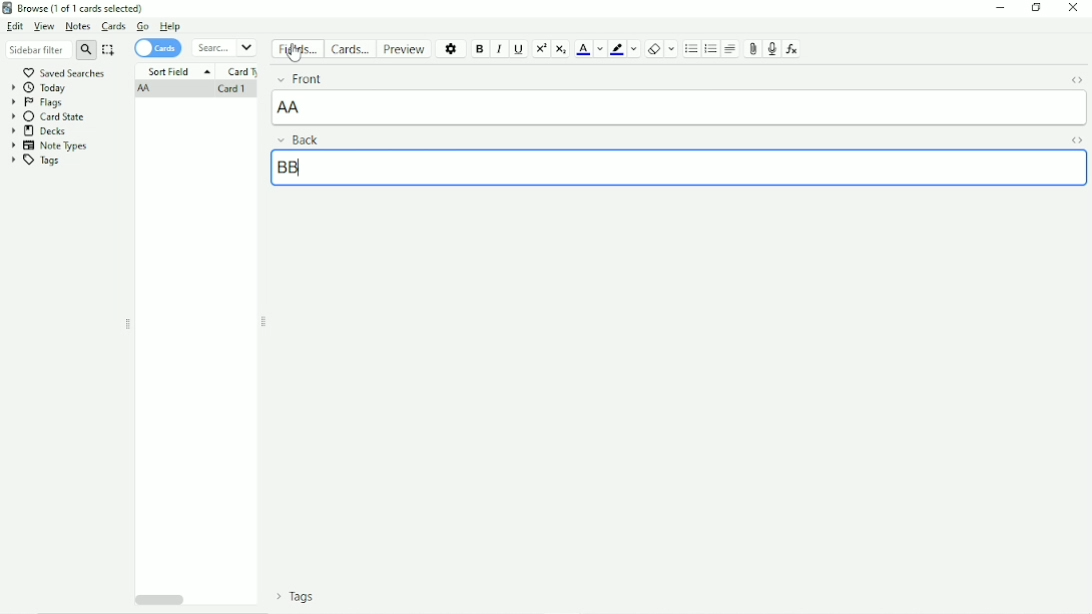  What do you see at coordinates (1076, 82) in the screenshot?
I see `Toggle HTML Editor` at bounding box center [1076, 82].